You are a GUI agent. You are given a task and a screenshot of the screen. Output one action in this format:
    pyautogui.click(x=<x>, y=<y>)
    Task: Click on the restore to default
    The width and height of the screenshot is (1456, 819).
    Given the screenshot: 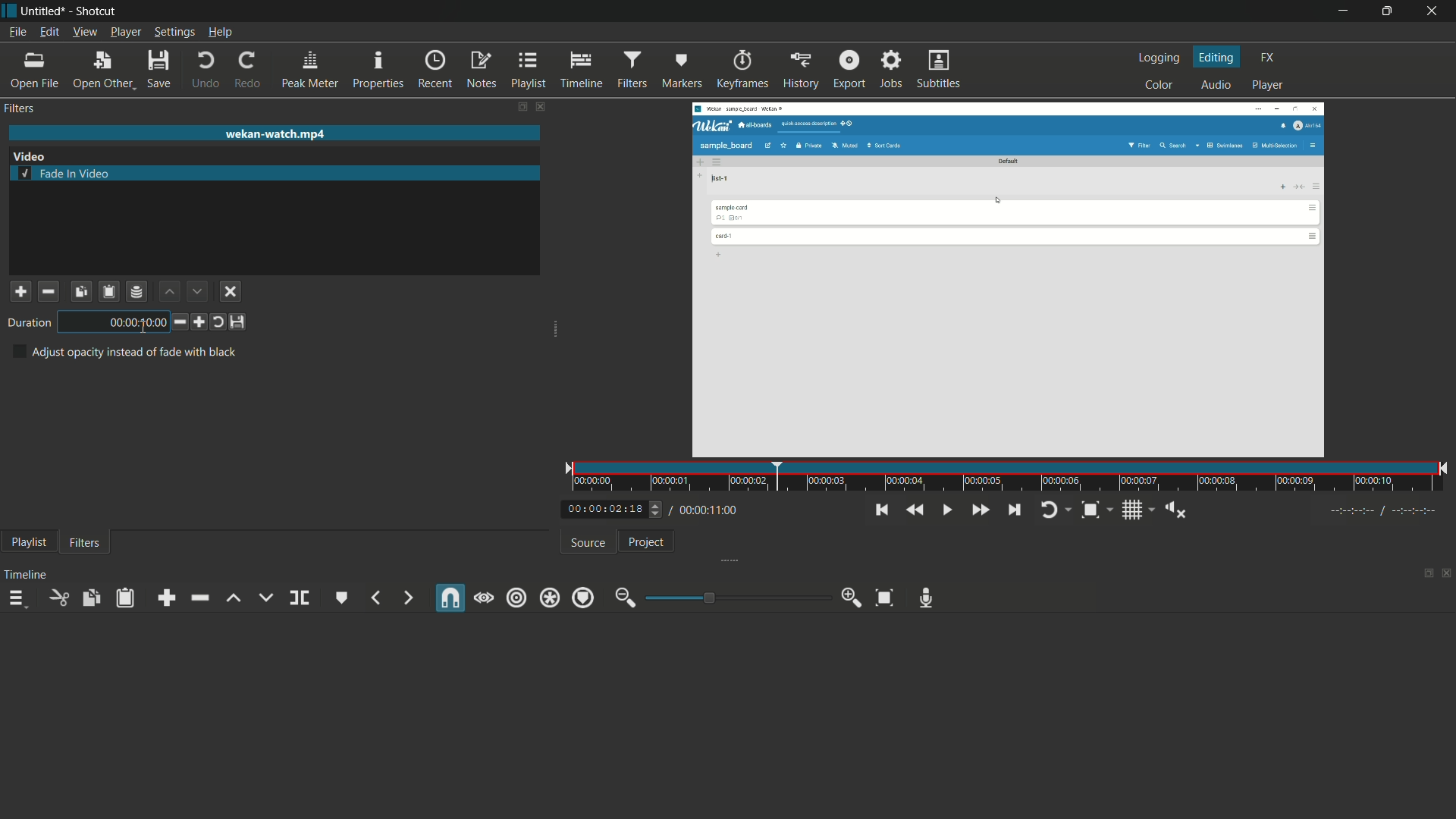 What is the action you would take?
    pyautogui.click(x=218, y=322)
    